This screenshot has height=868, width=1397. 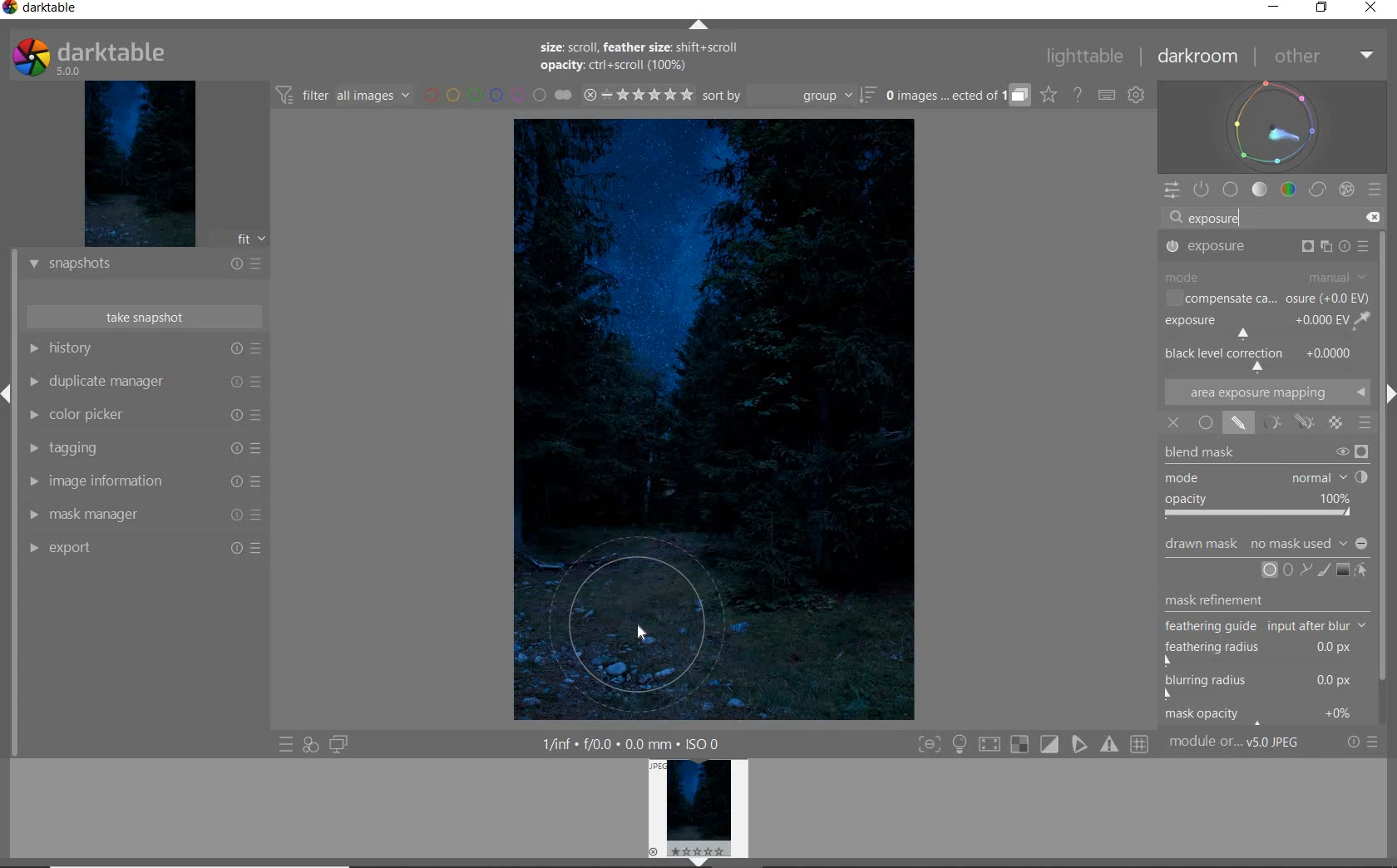 I want to click on CLICK TO CHANGE THE OVERLAYS SHOWN ON THUMBNAILS, so click(x=1049, y=95).